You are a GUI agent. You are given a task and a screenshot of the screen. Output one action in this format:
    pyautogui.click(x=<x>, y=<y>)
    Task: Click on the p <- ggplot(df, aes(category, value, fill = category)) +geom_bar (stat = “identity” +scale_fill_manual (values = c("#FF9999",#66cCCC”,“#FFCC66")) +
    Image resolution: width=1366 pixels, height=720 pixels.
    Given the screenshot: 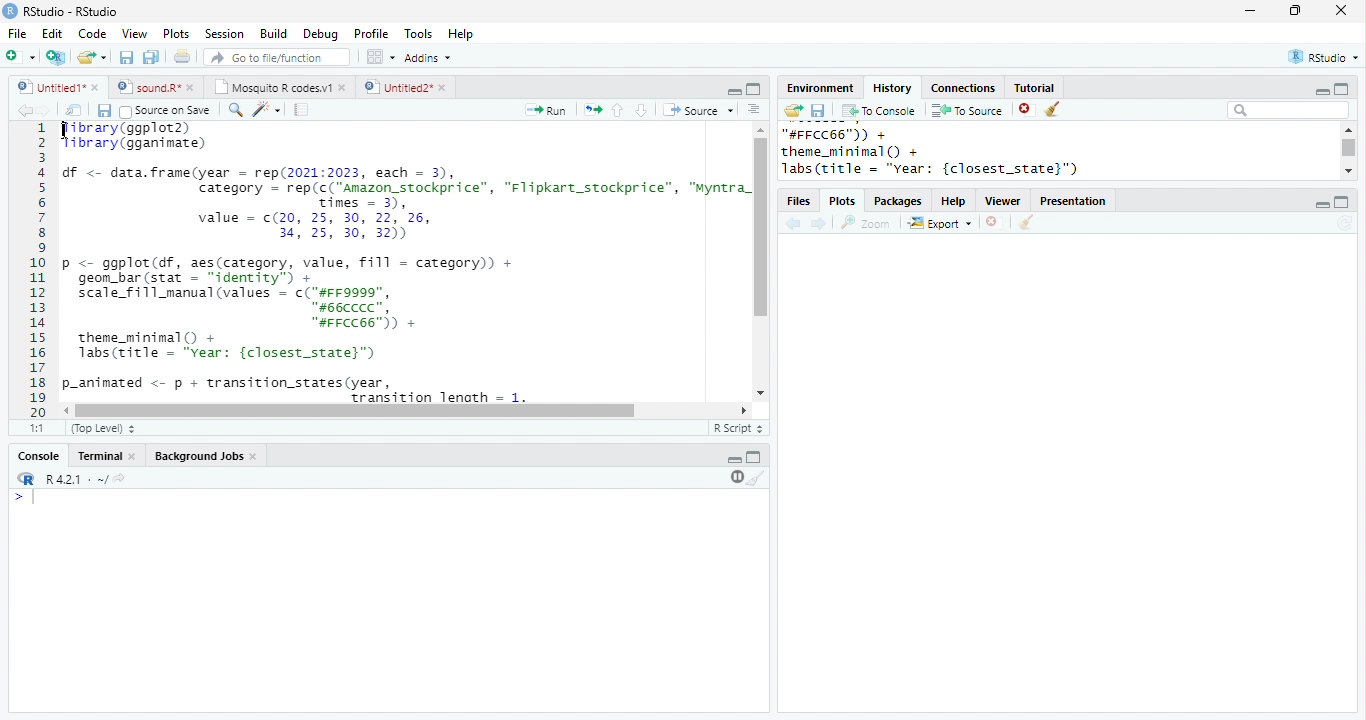 What is the action you would take?
    pyautogui.click(x=291, y=292)
    